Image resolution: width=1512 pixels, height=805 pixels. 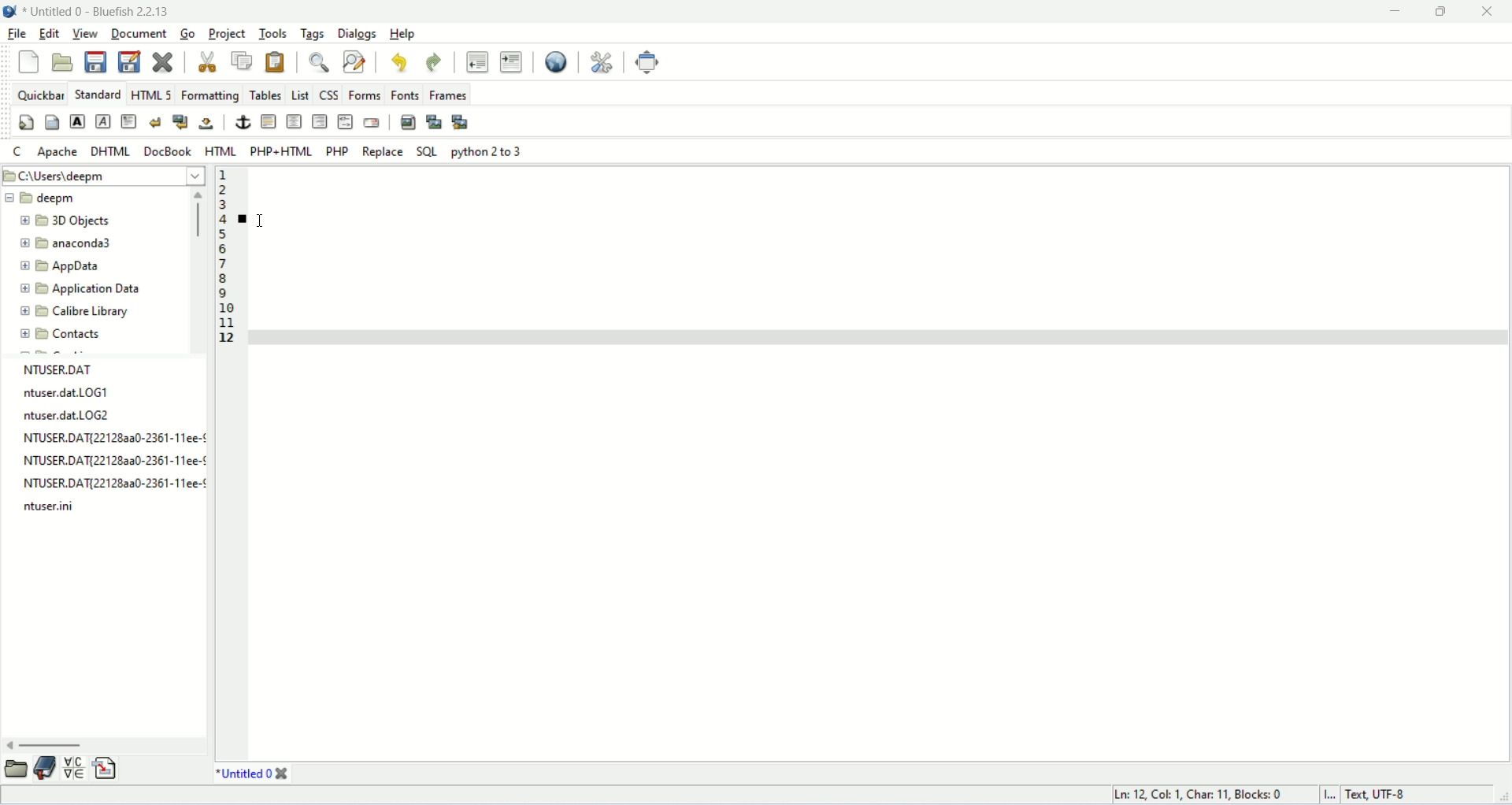 I want to click on go, so click(x=186, y=33).